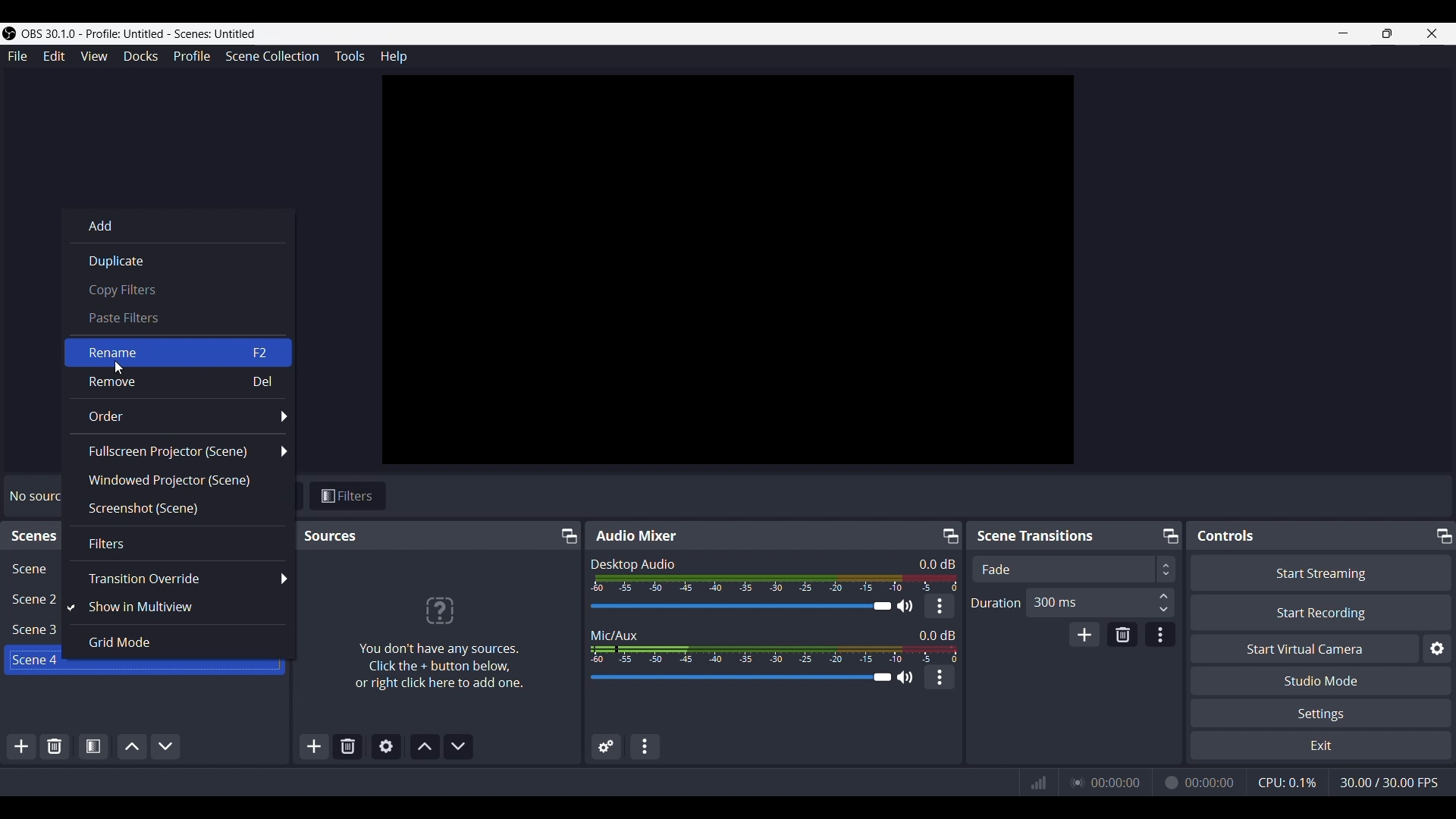 The height and width of the screenshot is (819, 1456). Describe the element at coordinates (132, 745) in the screenshot. I see `Move scene up` at that location.